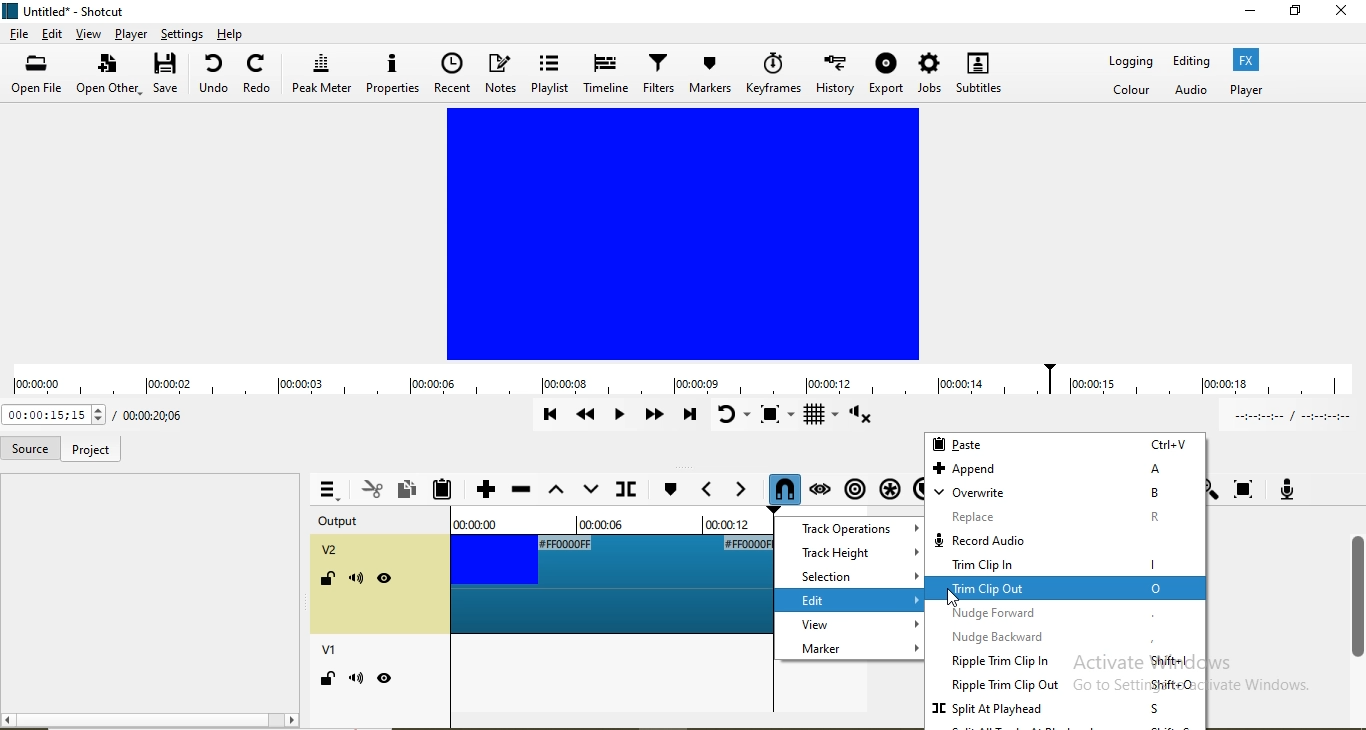 The height and width of the screenshot is (730, 1366). I want to click on lock, so click(325, 681).